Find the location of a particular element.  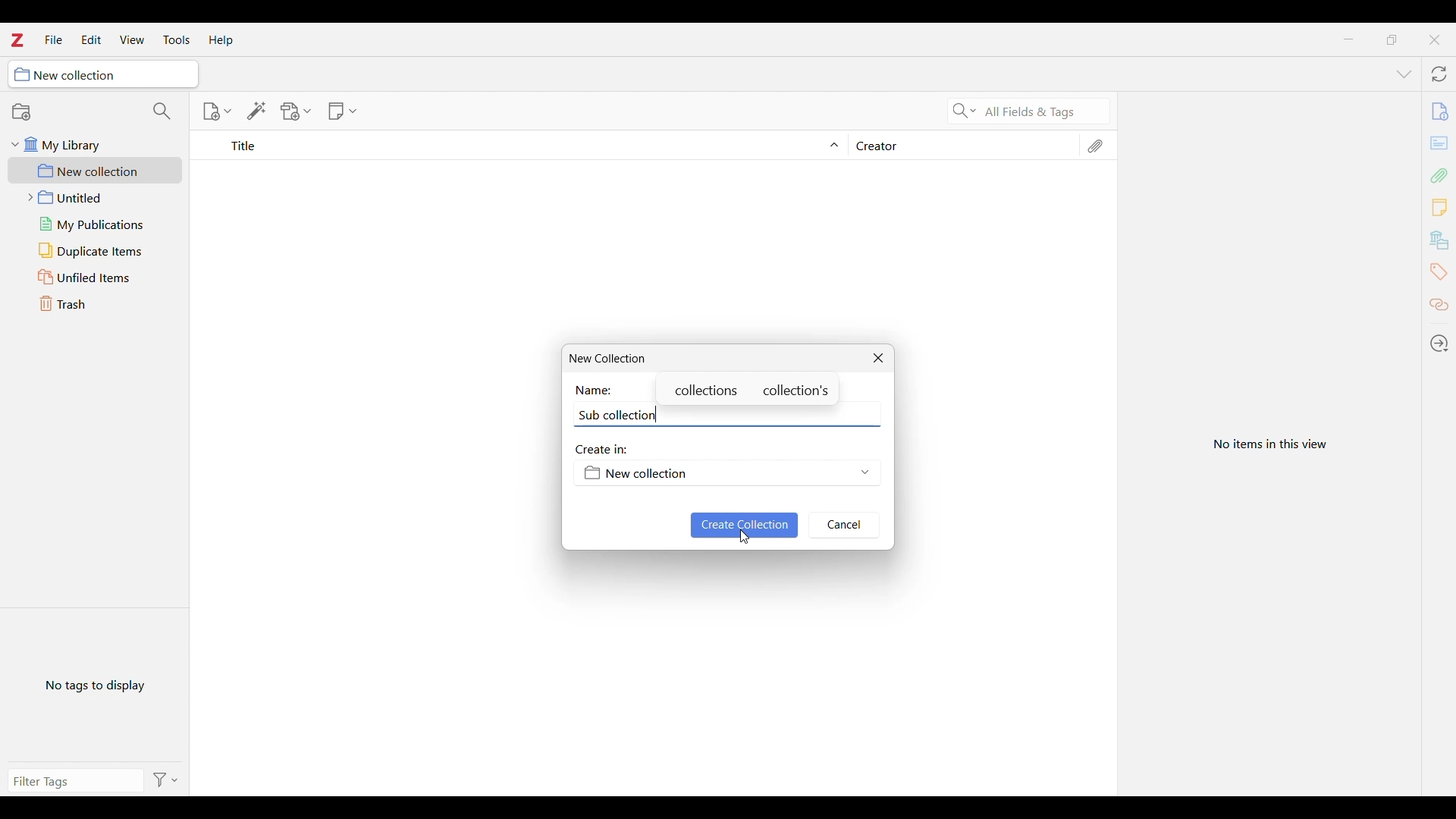

Sort Title column is located at coordinates (529, 146).